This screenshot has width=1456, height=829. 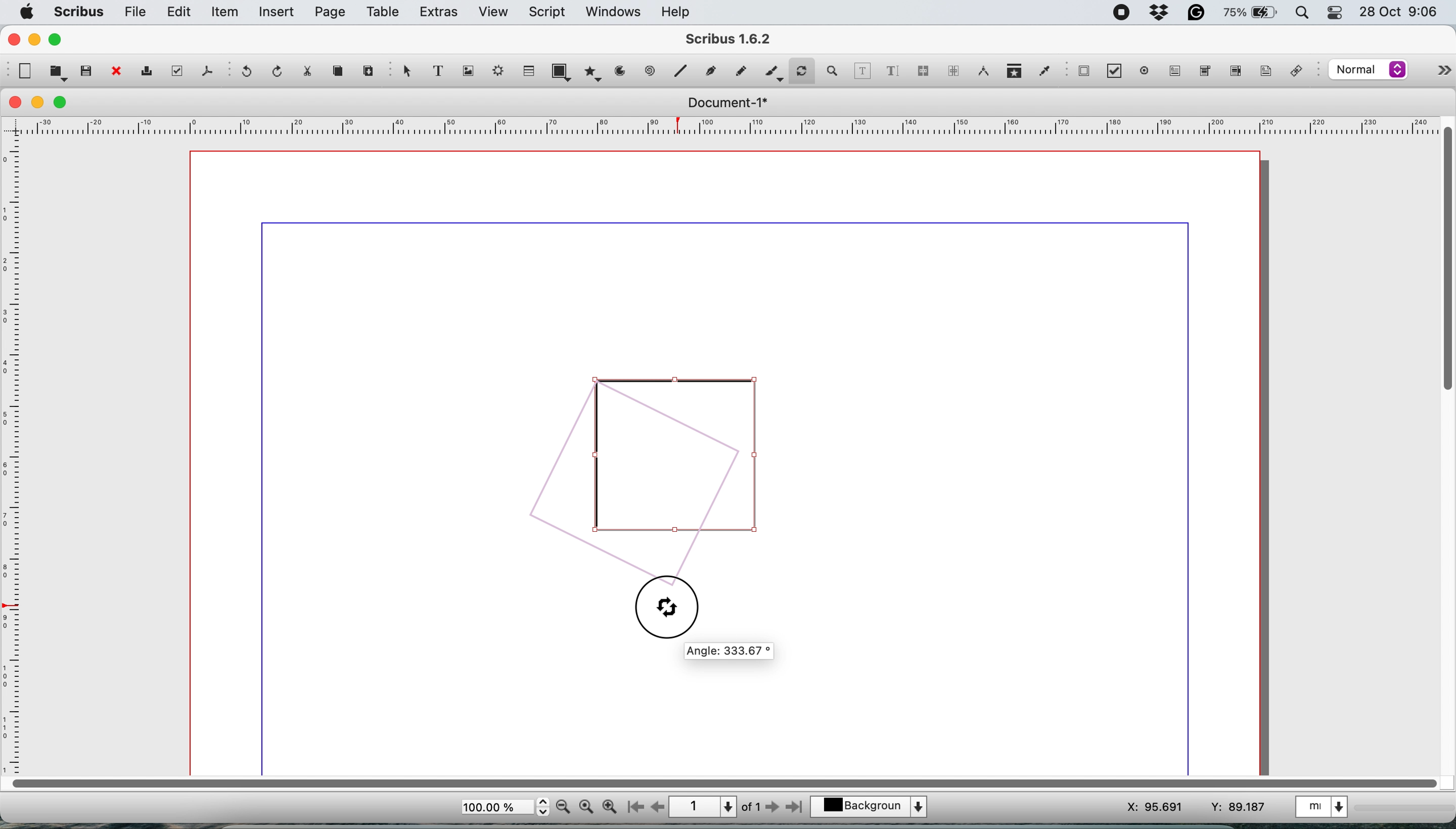 What do you see at coordinates (86, 71) in the screenshot?
I see `save` at bounding box center [86, 71].